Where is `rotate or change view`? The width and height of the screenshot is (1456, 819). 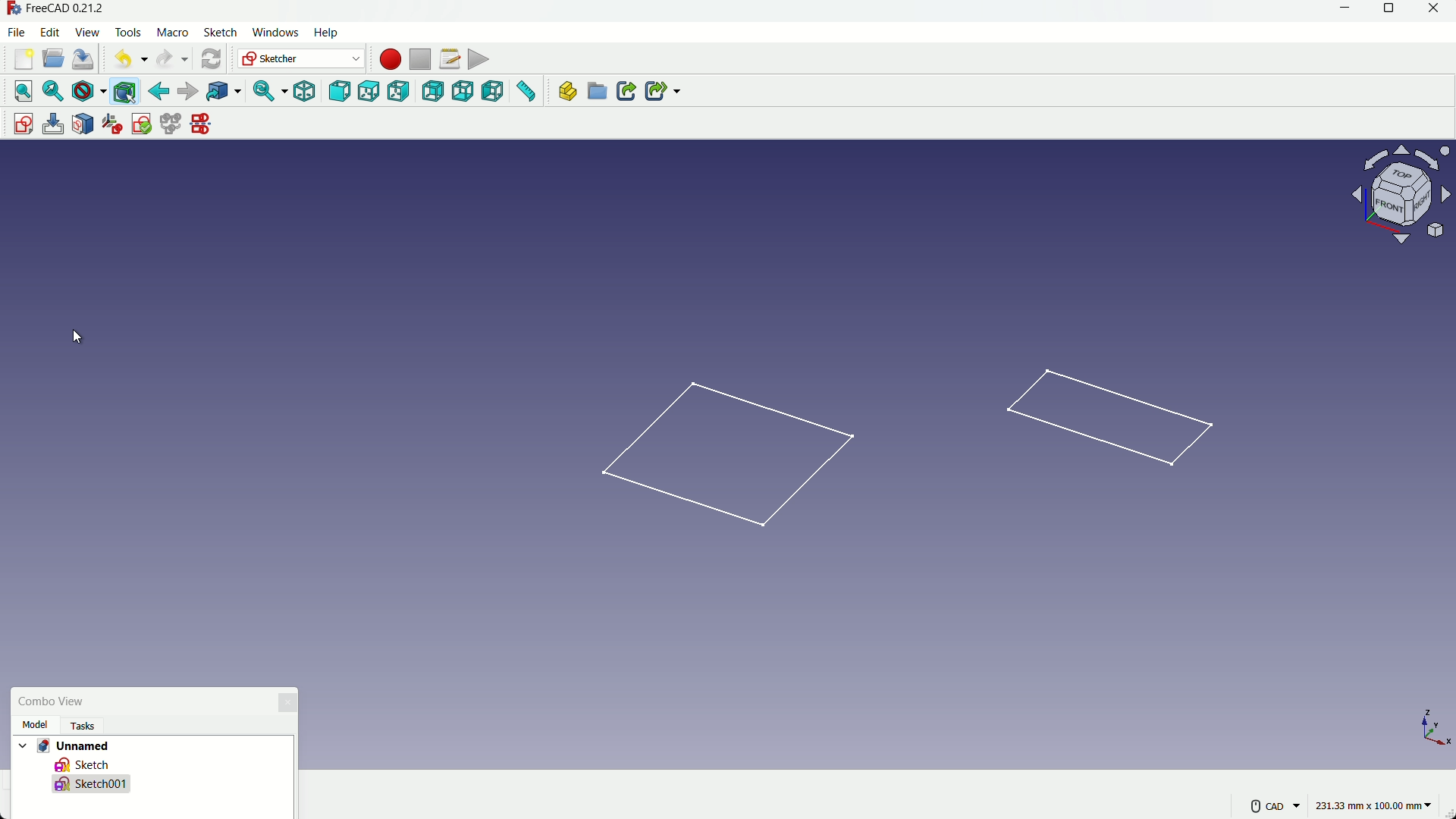 rotate or change view is located at coordinates (1403, 193).